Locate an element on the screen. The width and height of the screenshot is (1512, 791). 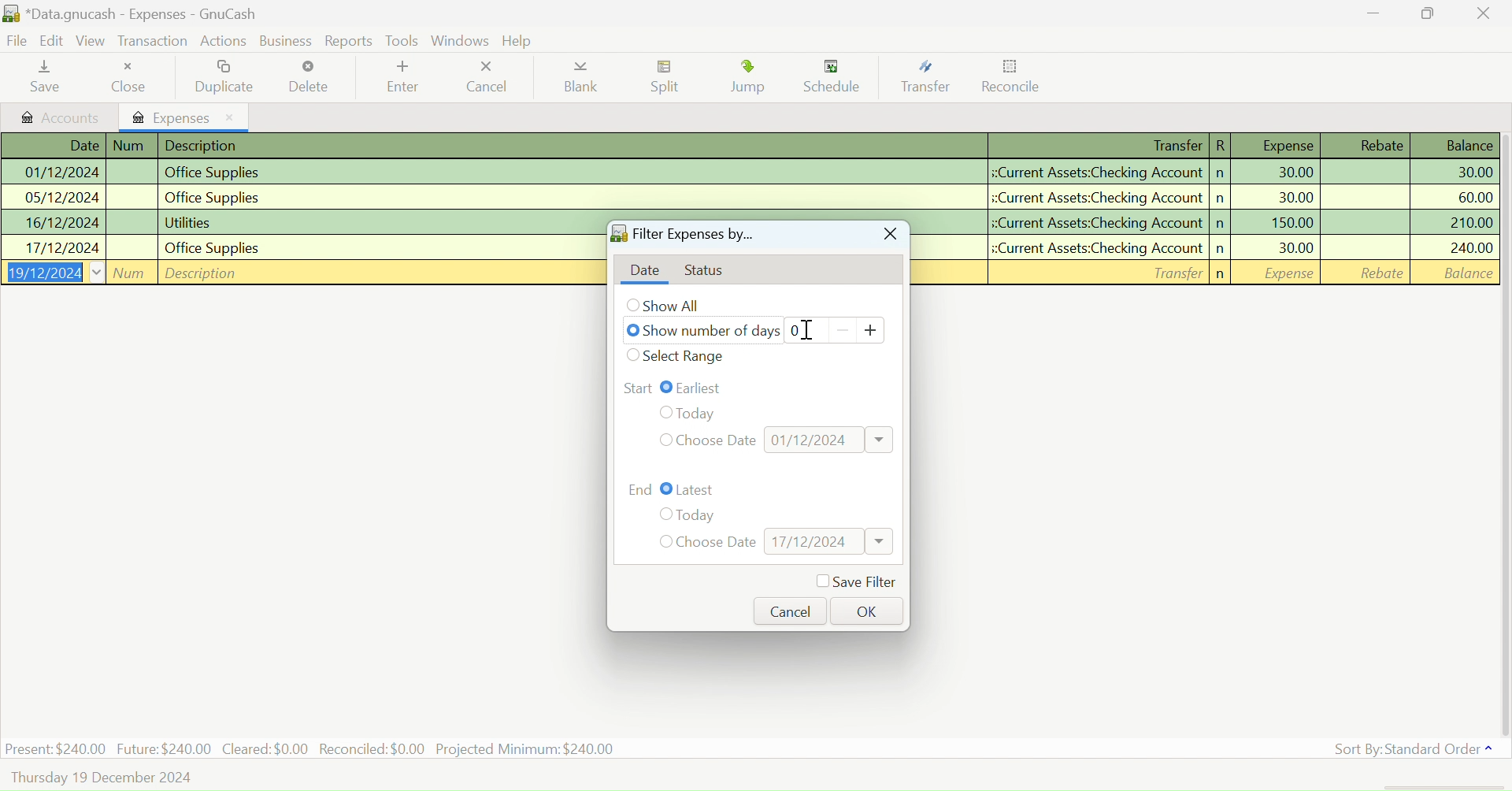
Office Supplies Transaction is located at coordinates (748, 173).